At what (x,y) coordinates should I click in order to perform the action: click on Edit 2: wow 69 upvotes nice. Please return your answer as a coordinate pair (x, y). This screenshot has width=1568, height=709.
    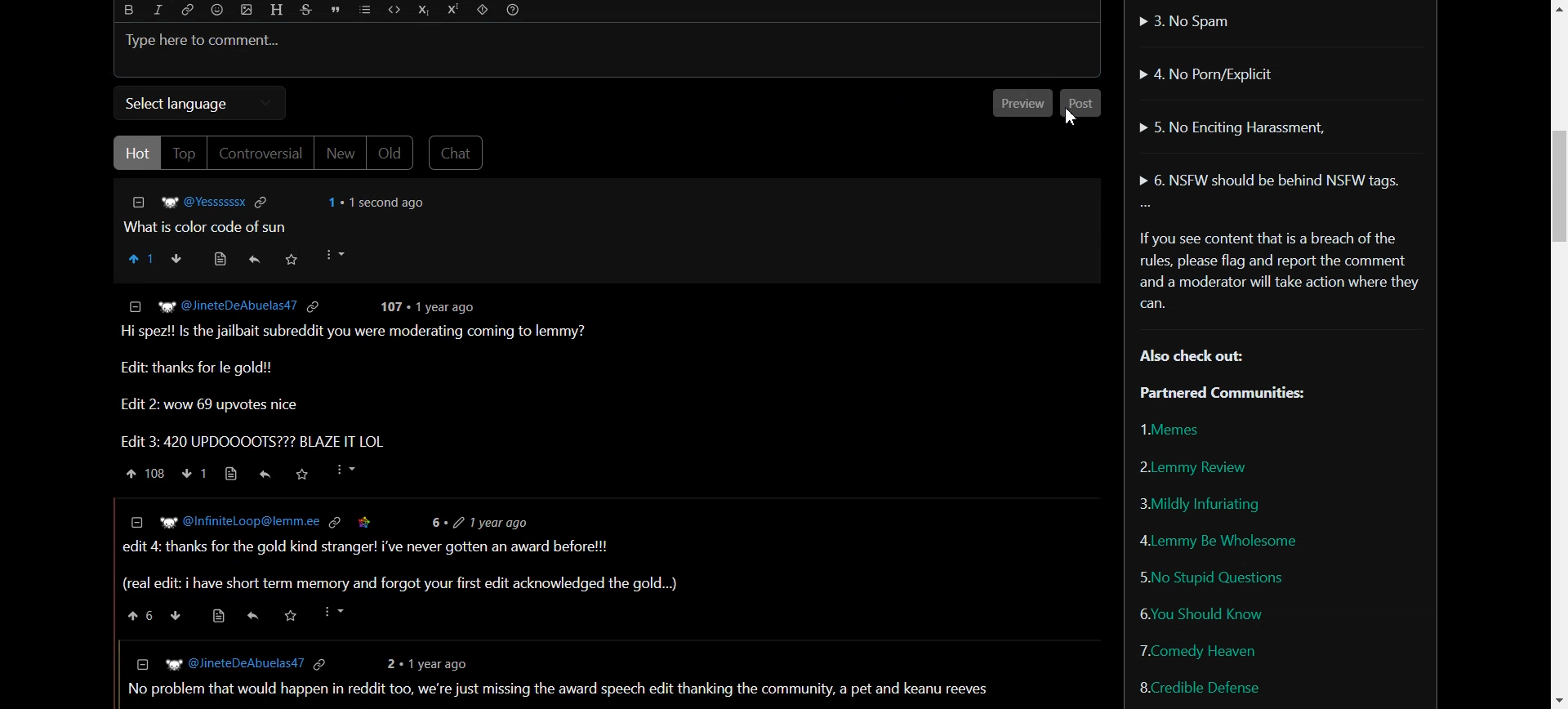
    Looking at the image, I should click on (215, 405).